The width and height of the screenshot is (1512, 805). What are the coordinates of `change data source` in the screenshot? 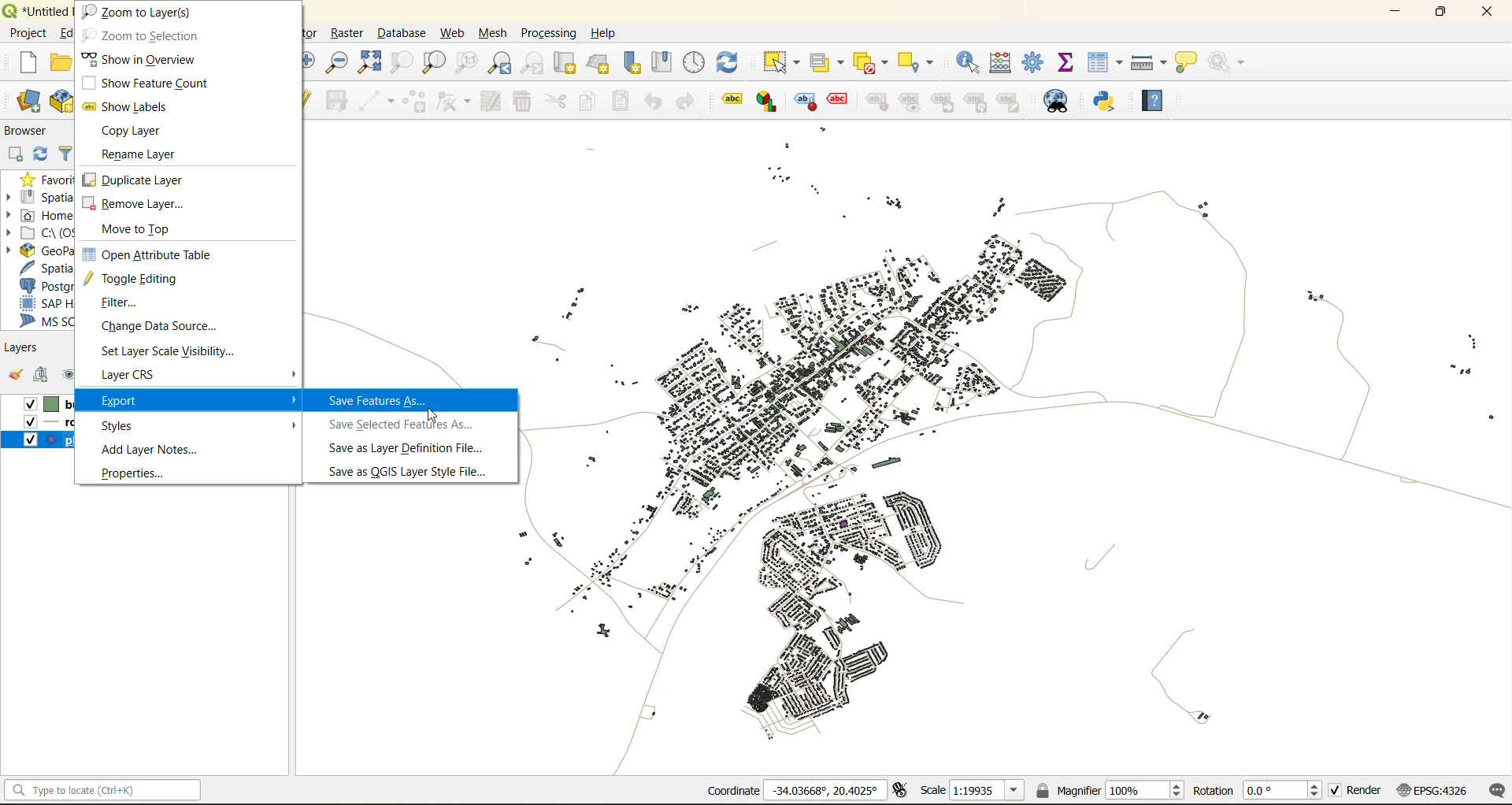 It's located at (169, 328).